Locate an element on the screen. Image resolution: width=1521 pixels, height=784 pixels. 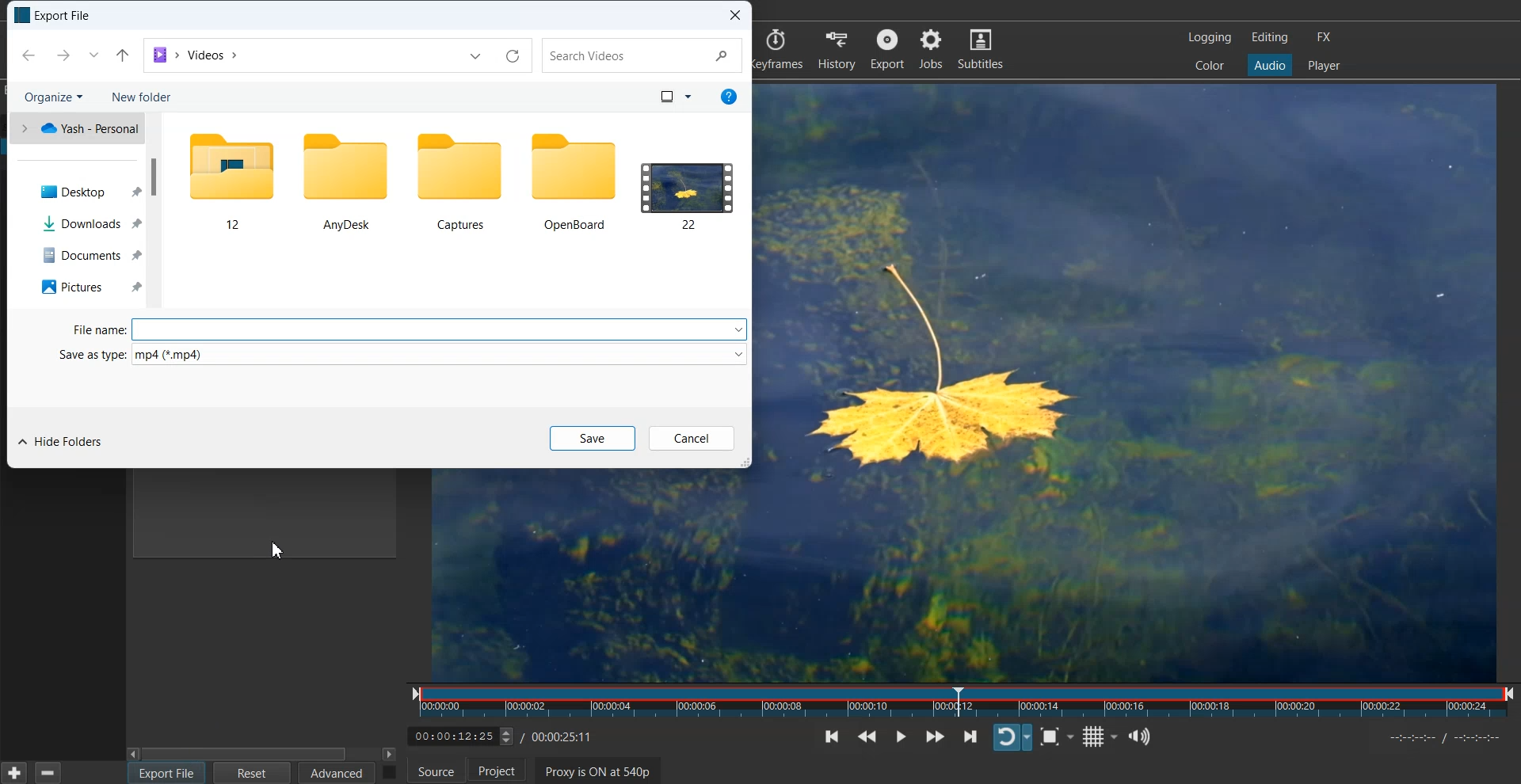
Jobs is located at coordinates (932, 49).